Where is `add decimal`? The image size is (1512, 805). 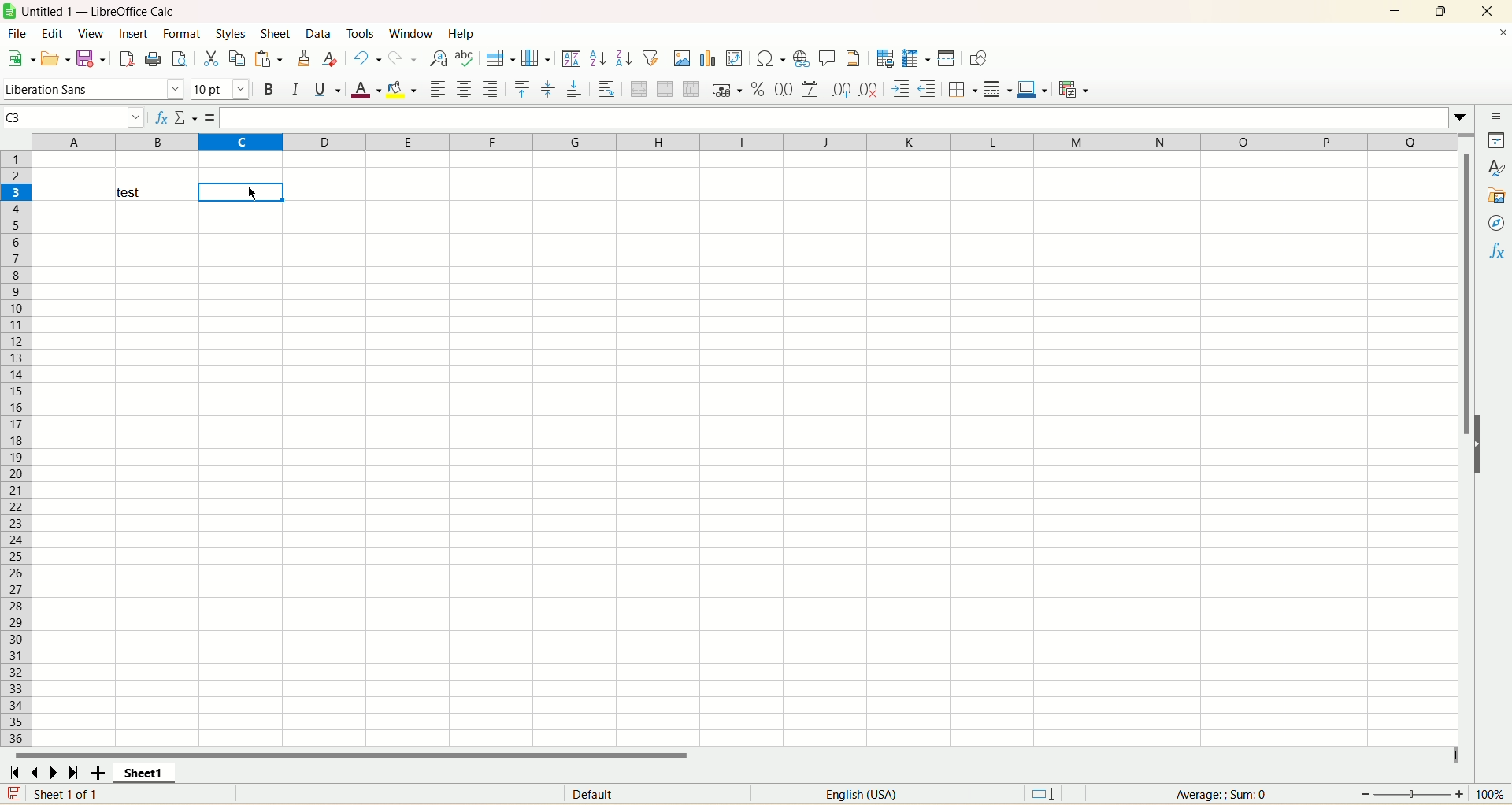 add decimal is located at coordinates (842, 90).